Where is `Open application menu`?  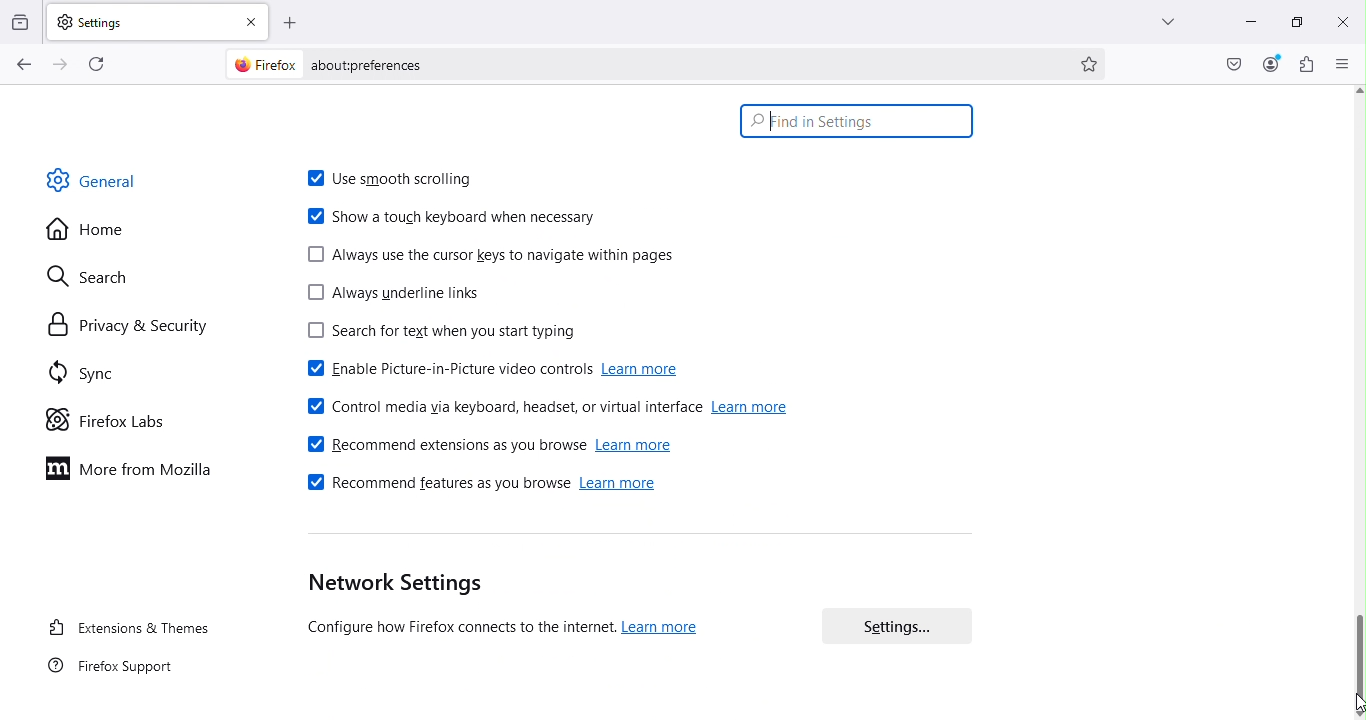 Open application menu is located at coordinates (1345, 65).